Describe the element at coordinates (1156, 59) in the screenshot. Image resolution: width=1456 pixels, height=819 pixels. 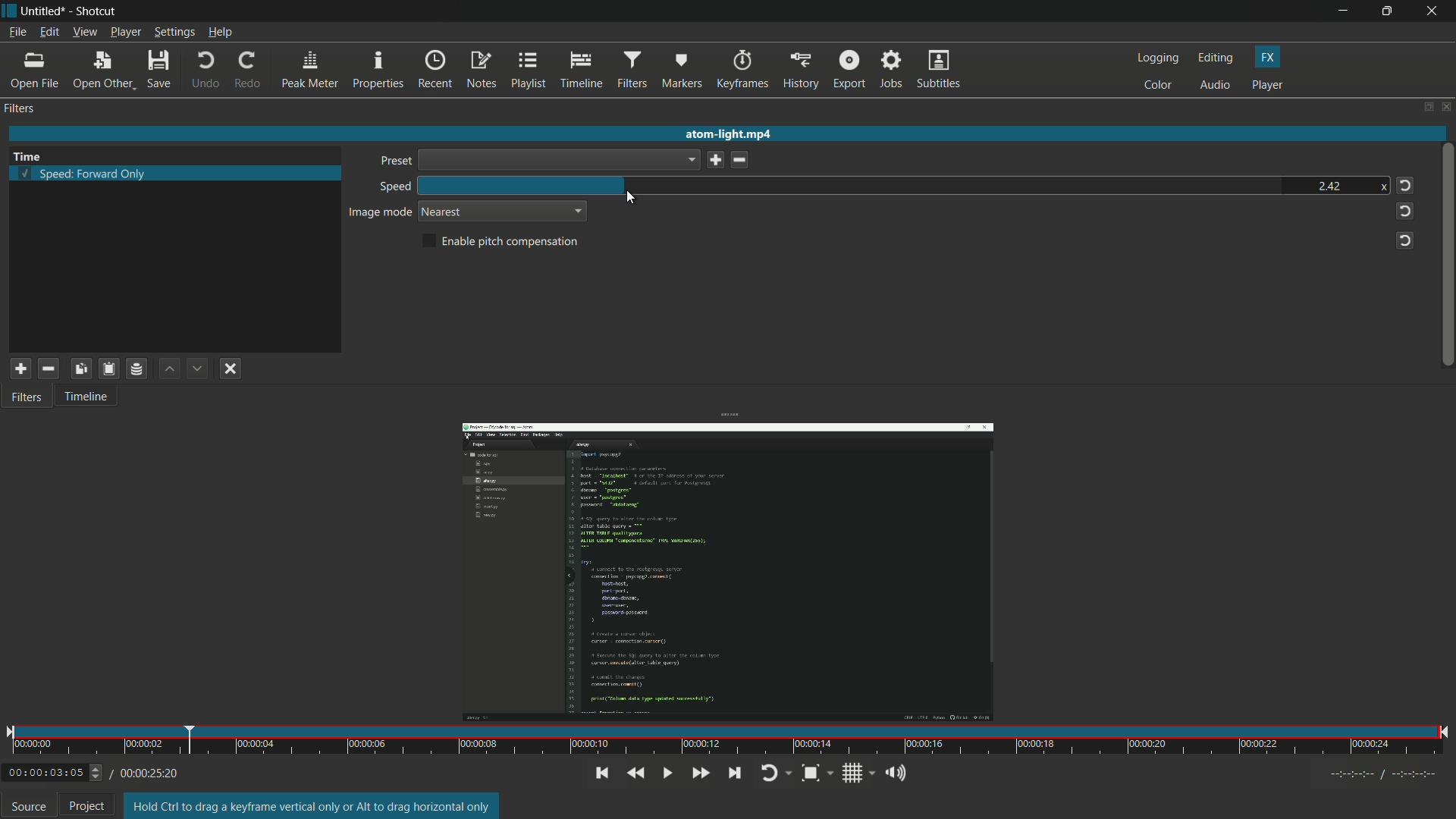
I see `logging` at that location.